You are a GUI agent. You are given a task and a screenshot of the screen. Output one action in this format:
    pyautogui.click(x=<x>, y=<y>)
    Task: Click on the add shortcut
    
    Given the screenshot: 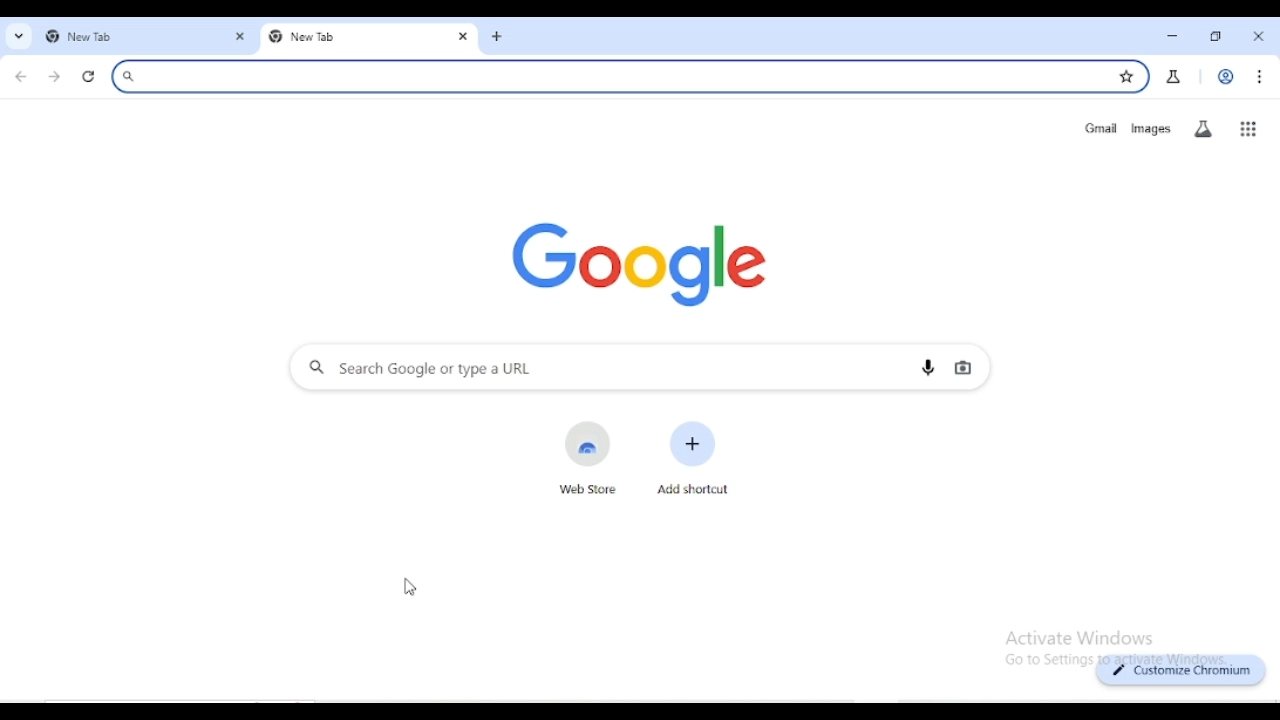 What is the action you would take?
    pyautogui.click(x=693, y=457)
    